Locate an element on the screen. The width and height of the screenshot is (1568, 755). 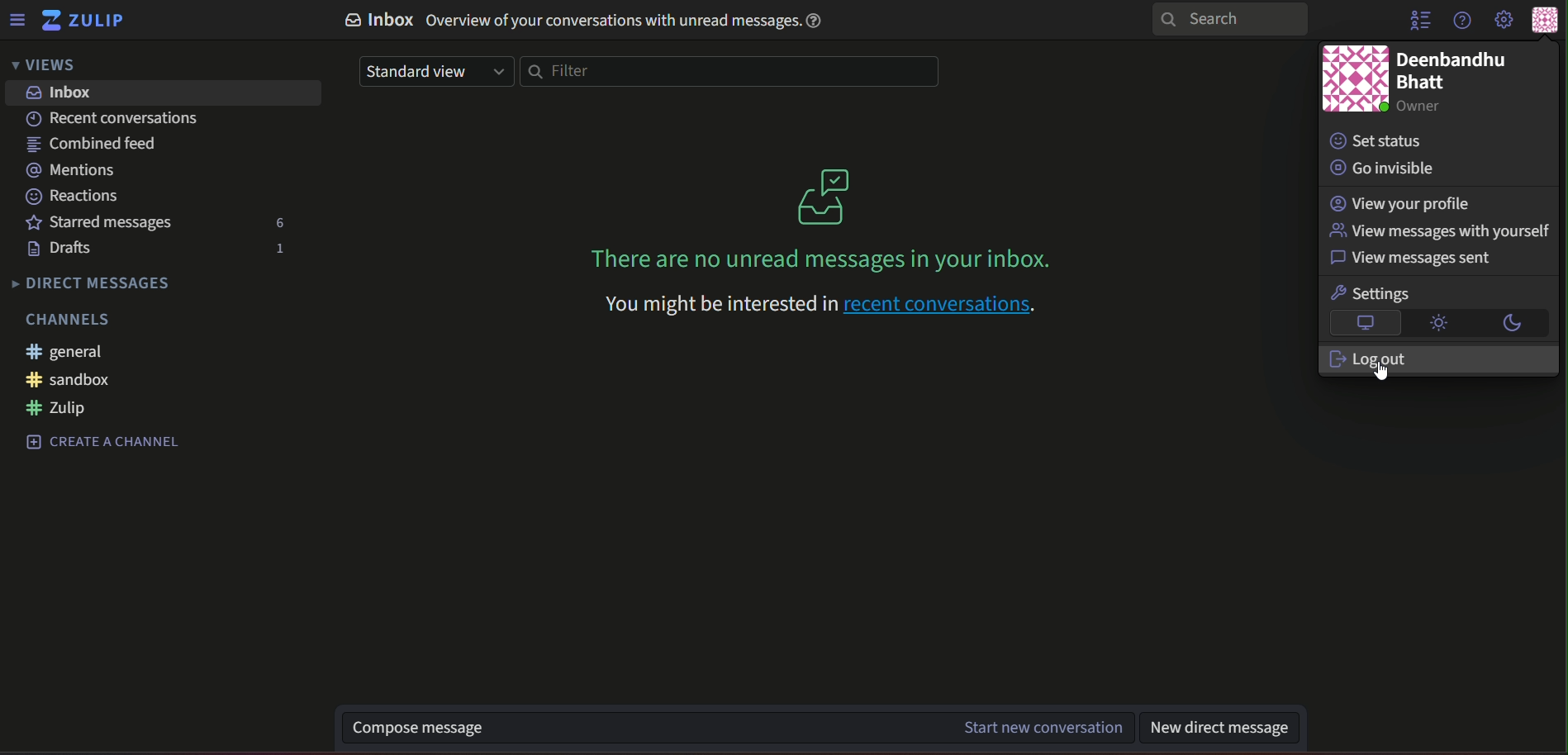
text is located at coordinates (104, 225).